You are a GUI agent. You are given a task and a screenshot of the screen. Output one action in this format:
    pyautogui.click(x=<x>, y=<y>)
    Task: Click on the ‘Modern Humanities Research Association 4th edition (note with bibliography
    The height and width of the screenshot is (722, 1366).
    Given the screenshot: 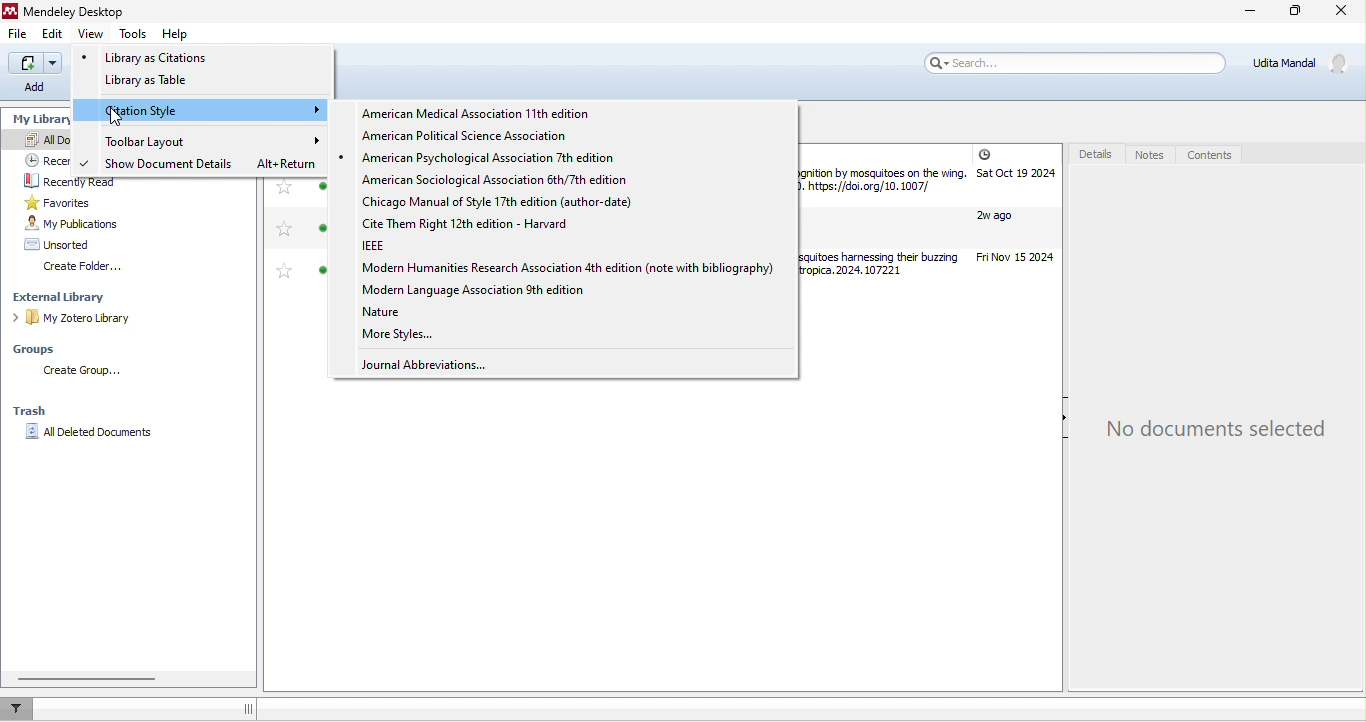 What is the action you would take?
    pyautogui.click(x=557, y=270)
    